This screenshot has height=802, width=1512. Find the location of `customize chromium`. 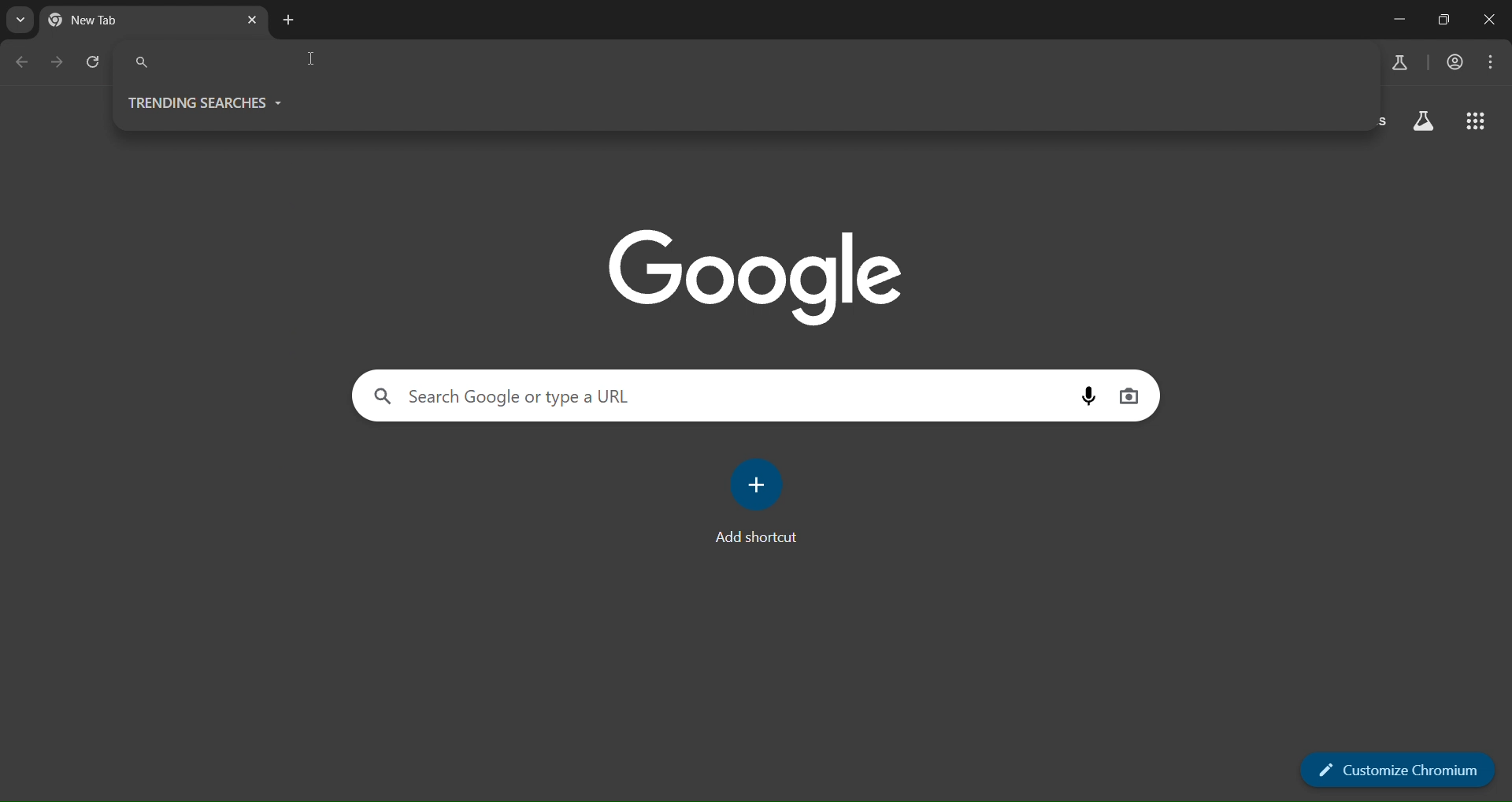

customize chromium is located at coordinates (1397, 770).